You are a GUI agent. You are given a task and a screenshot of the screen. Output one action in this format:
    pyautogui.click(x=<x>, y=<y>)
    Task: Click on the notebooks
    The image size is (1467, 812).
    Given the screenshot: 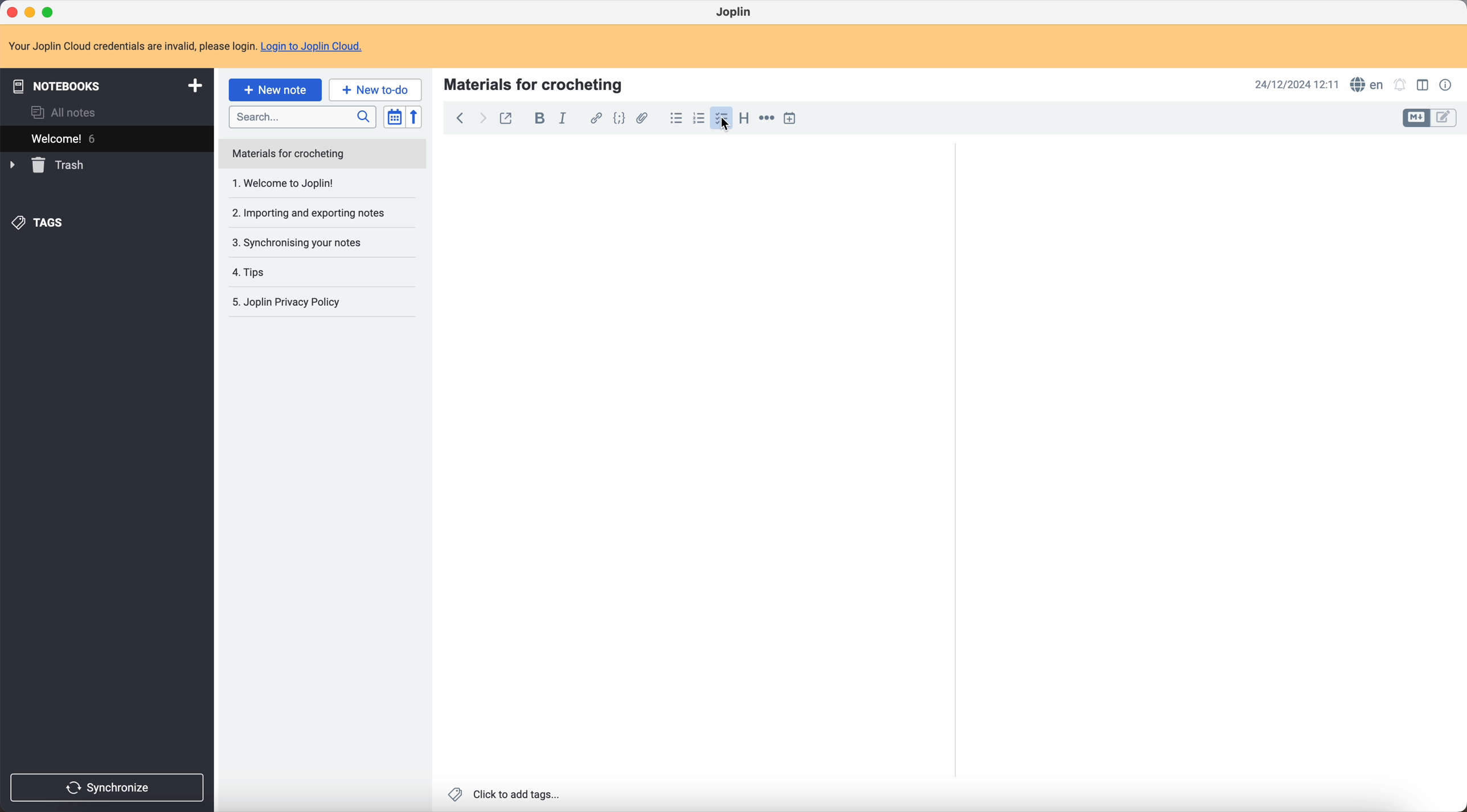 What is the action you would take?
    pyautogui.click(x=105, y=84)
    